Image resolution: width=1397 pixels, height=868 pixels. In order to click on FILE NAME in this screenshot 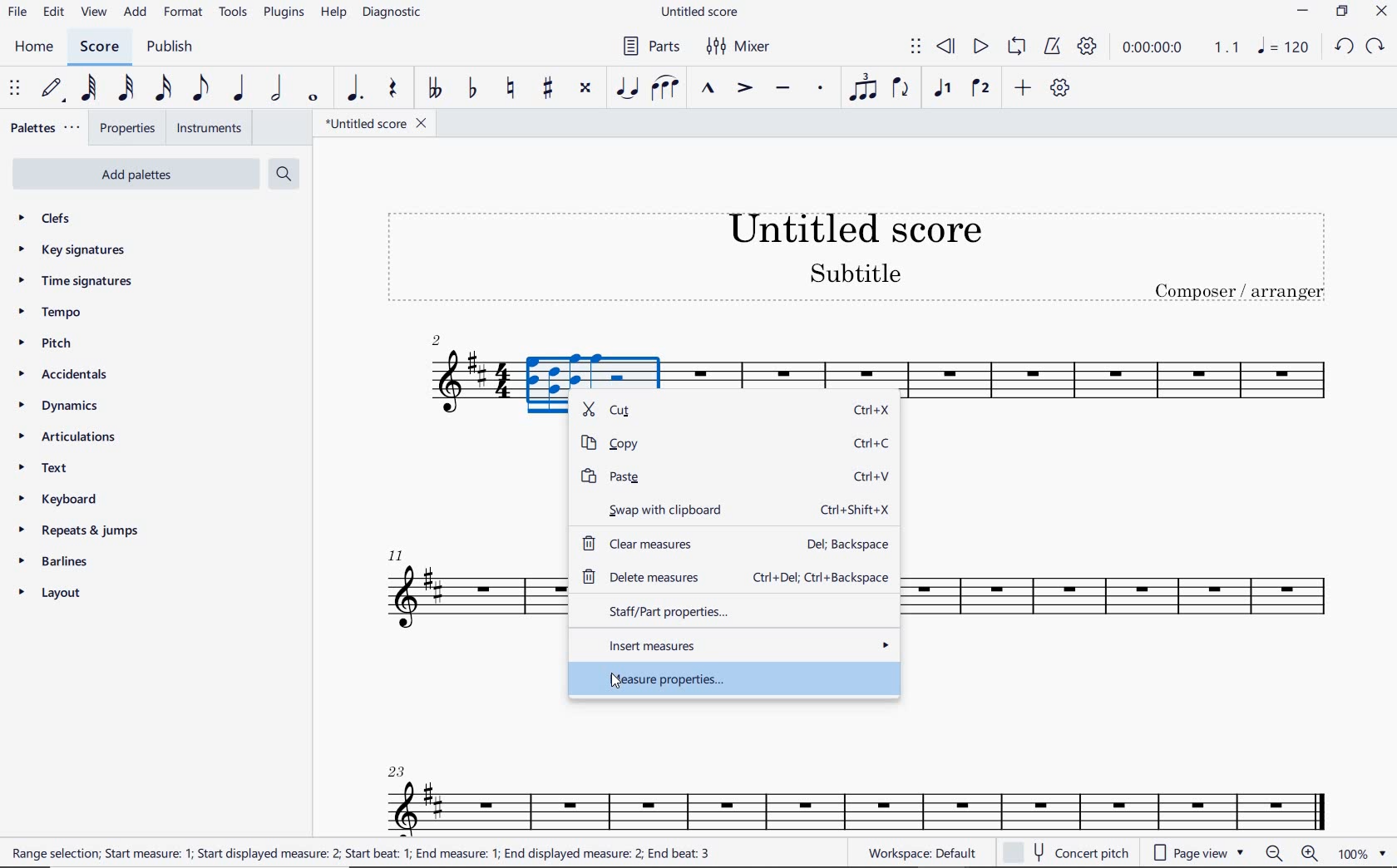, I will do `click(703, 12)`.